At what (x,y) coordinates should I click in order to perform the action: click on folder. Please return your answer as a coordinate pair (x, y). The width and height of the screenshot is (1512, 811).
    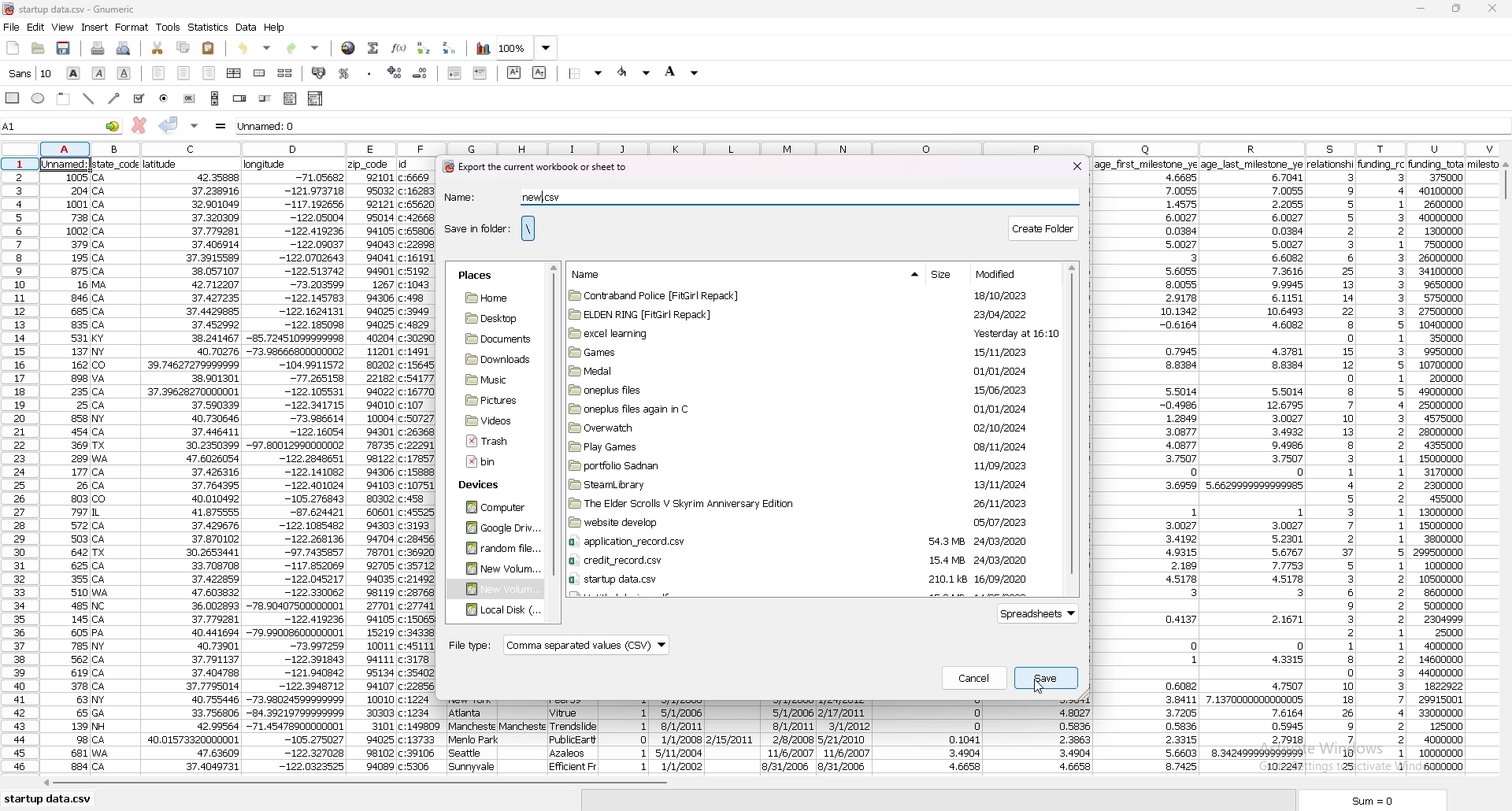
    Looking at the image, I should click on (807, 409).